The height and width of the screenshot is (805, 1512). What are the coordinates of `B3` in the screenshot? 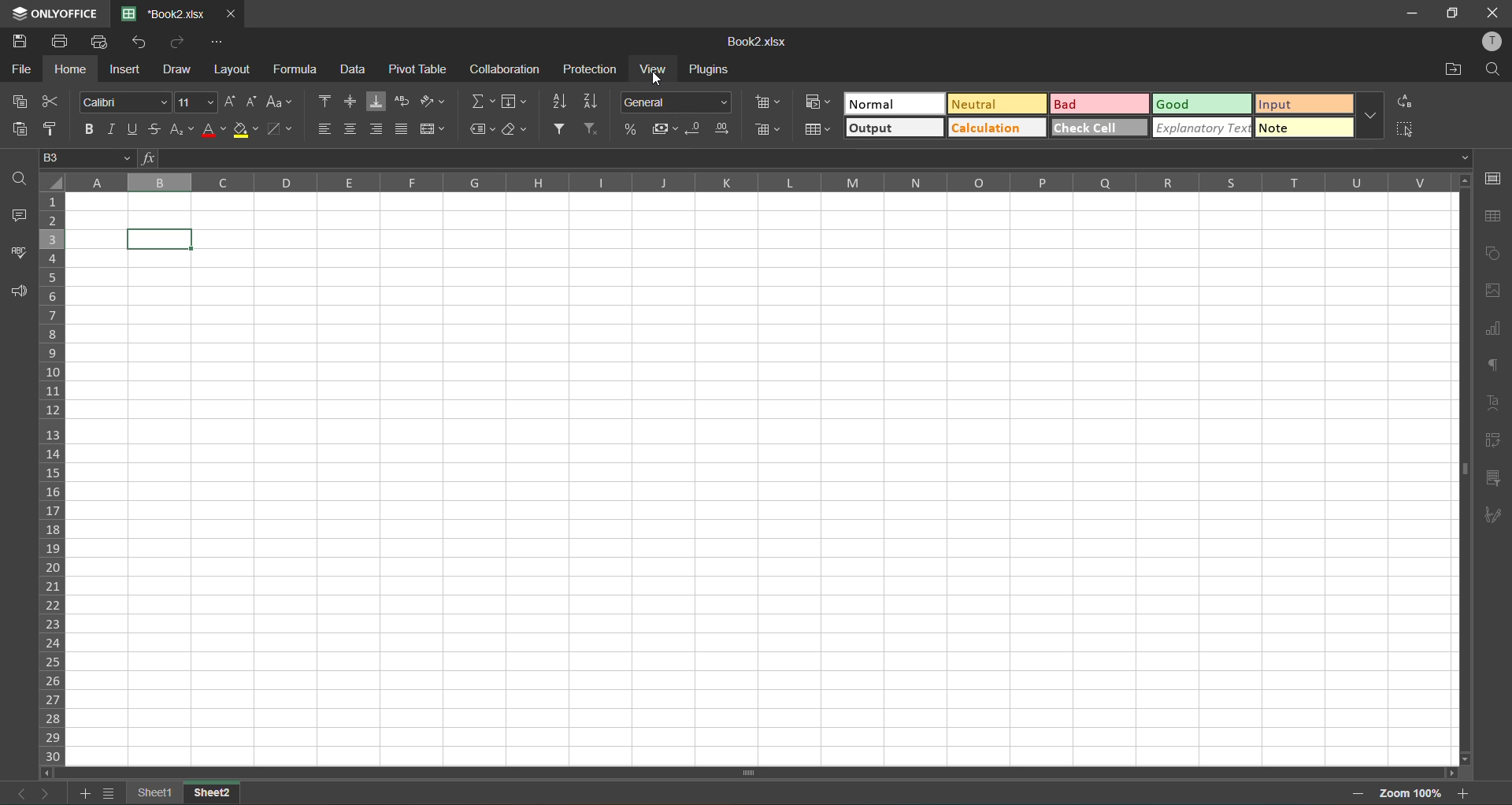 It's located at (85, 161).